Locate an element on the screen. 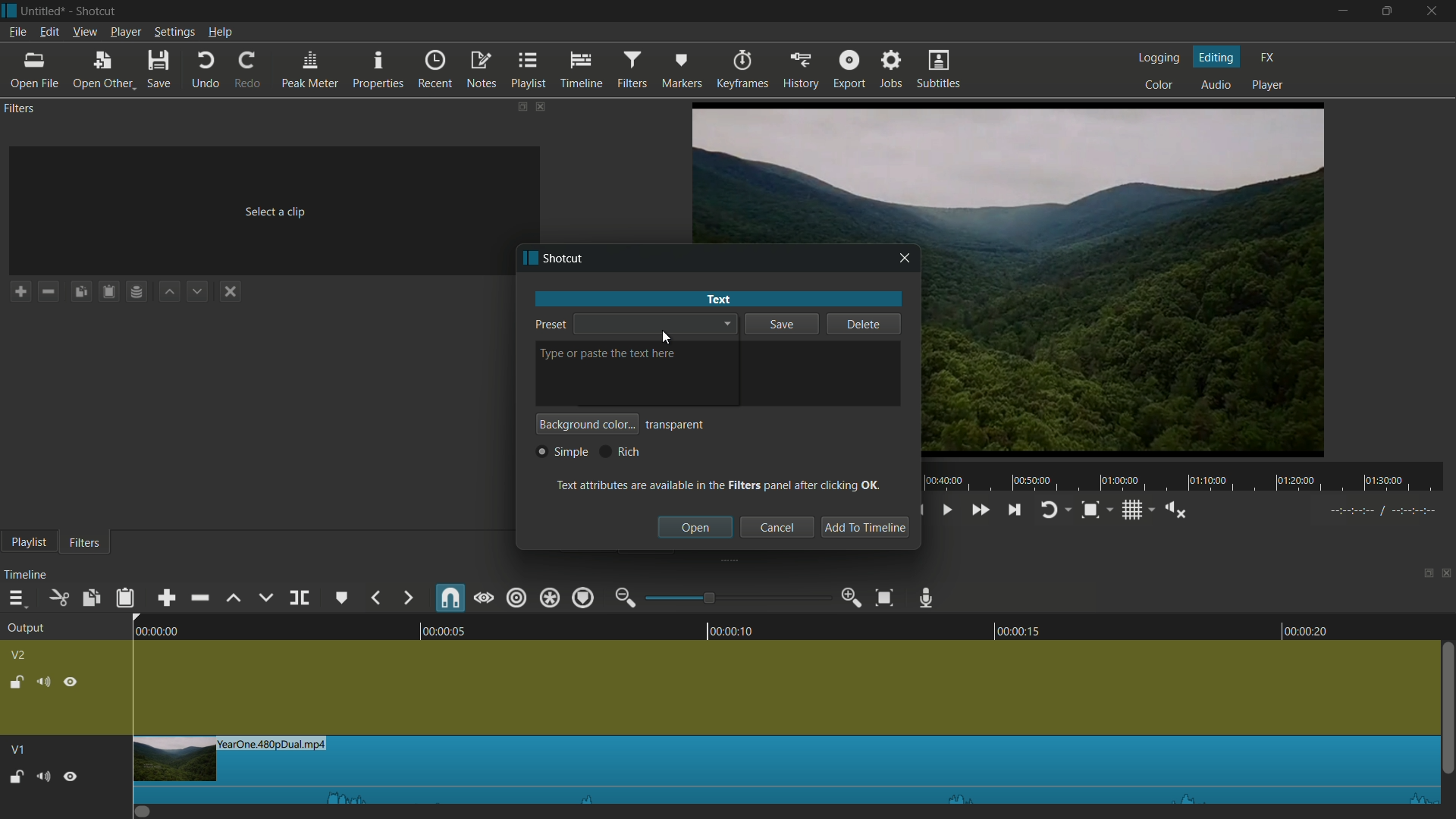 Image resolution: width=1456 pixels, height=819 pixels. peak meter is located at coordinates (310, 71).